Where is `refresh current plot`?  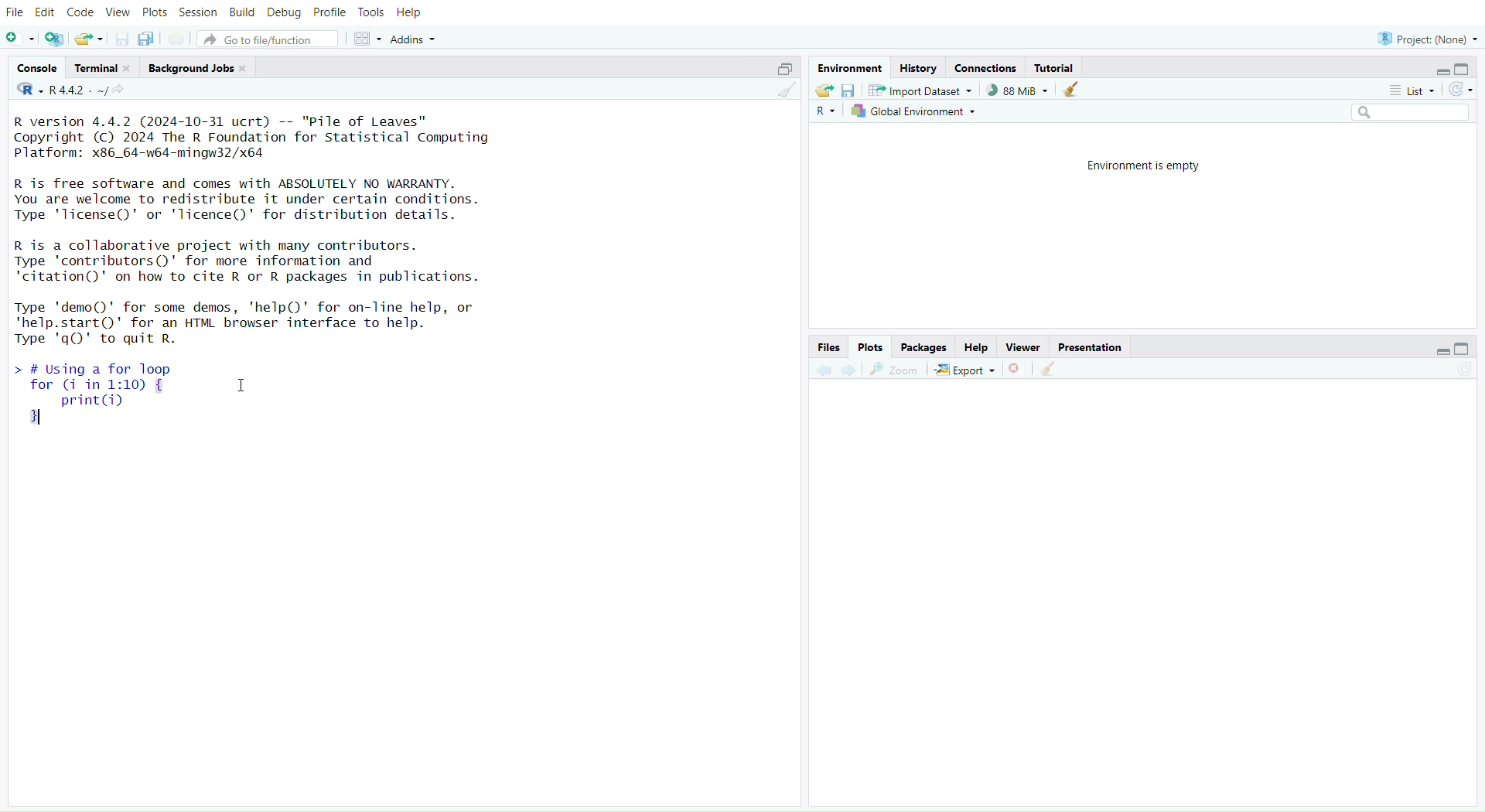
refresh current plot is located at coordinates (1458, 374).